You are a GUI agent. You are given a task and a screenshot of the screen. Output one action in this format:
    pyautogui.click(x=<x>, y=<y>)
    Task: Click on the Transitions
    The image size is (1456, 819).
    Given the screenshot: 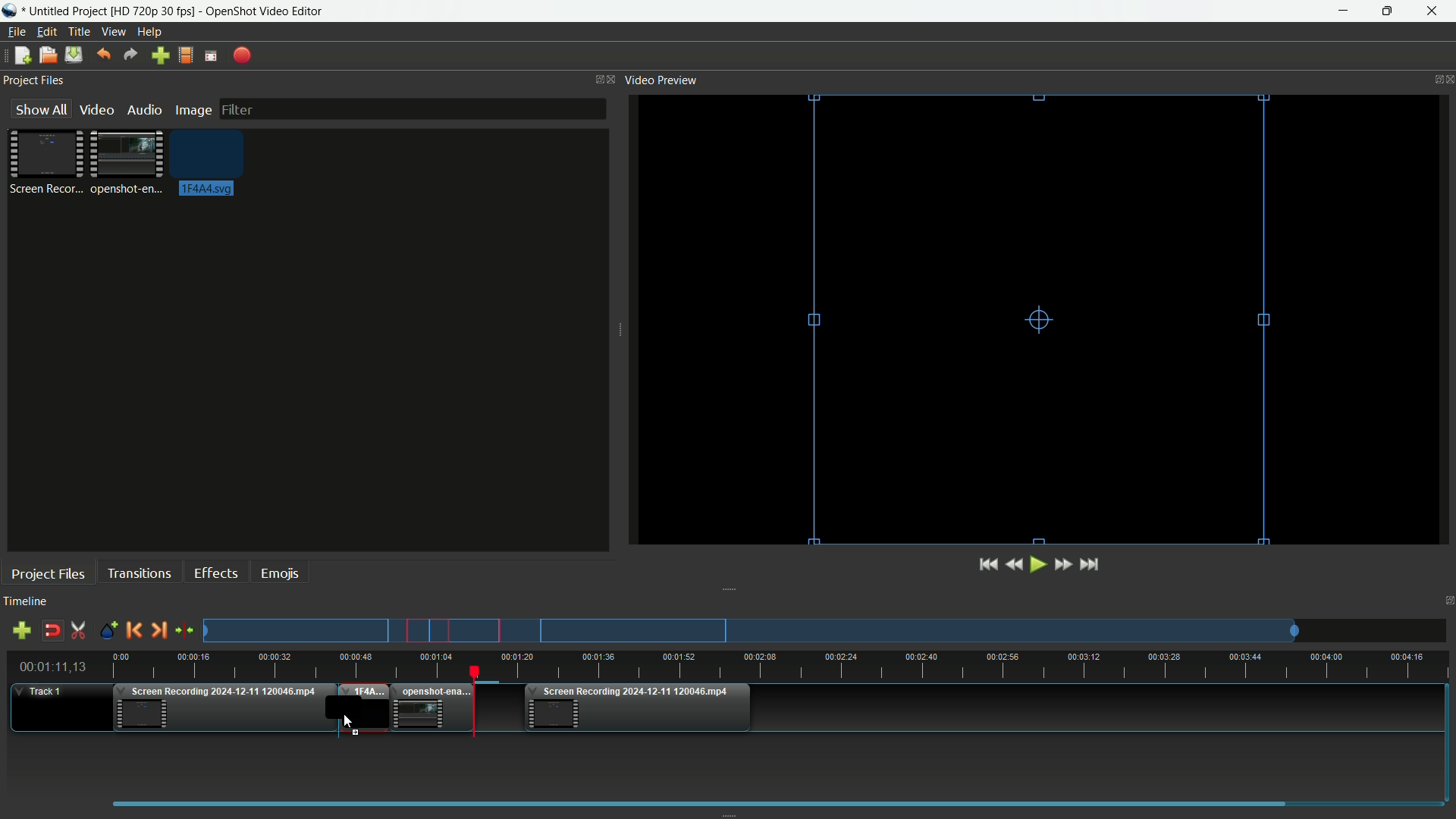 What is the action you would take?
    pyautogui.click(x=139, y=573)
    